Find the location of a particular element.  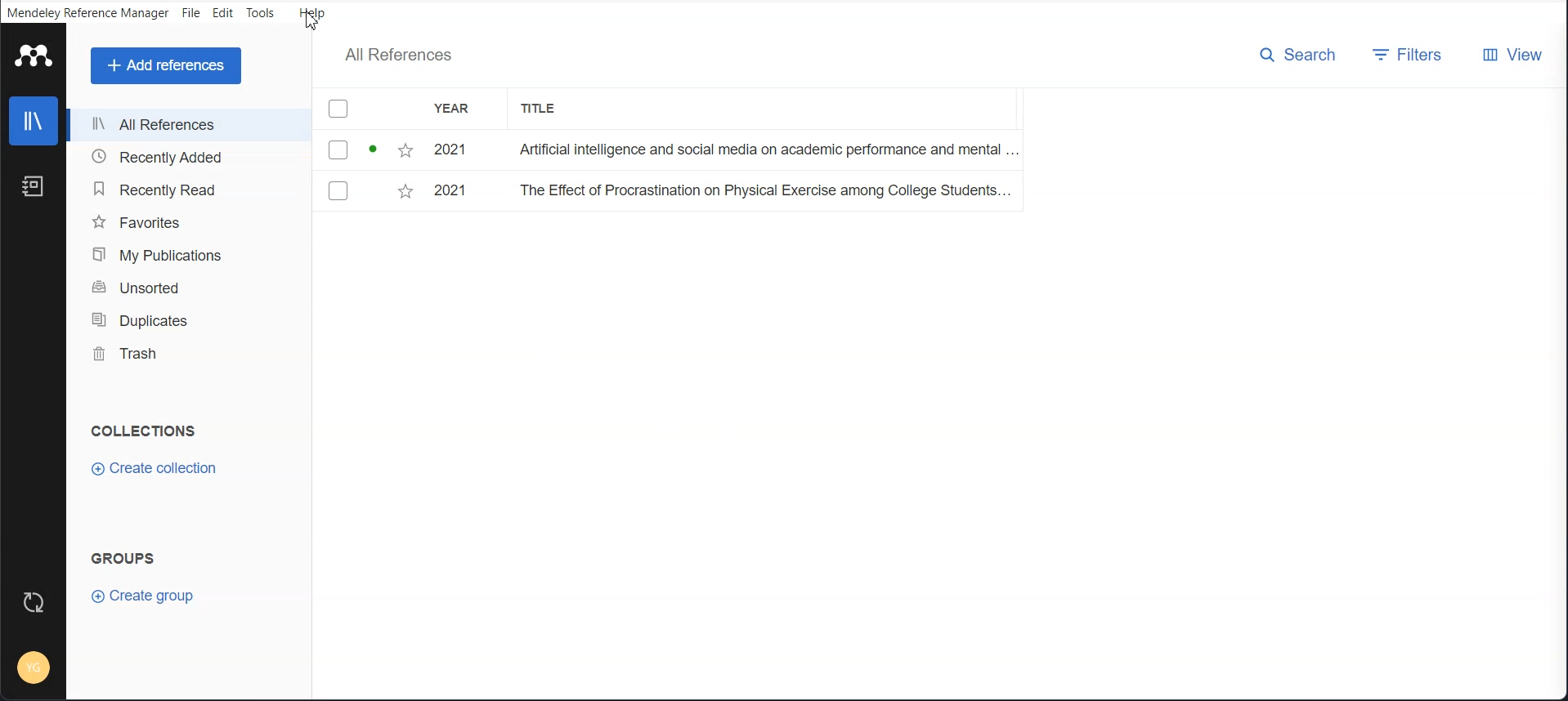

Starred is located at coordinates (406, 150).